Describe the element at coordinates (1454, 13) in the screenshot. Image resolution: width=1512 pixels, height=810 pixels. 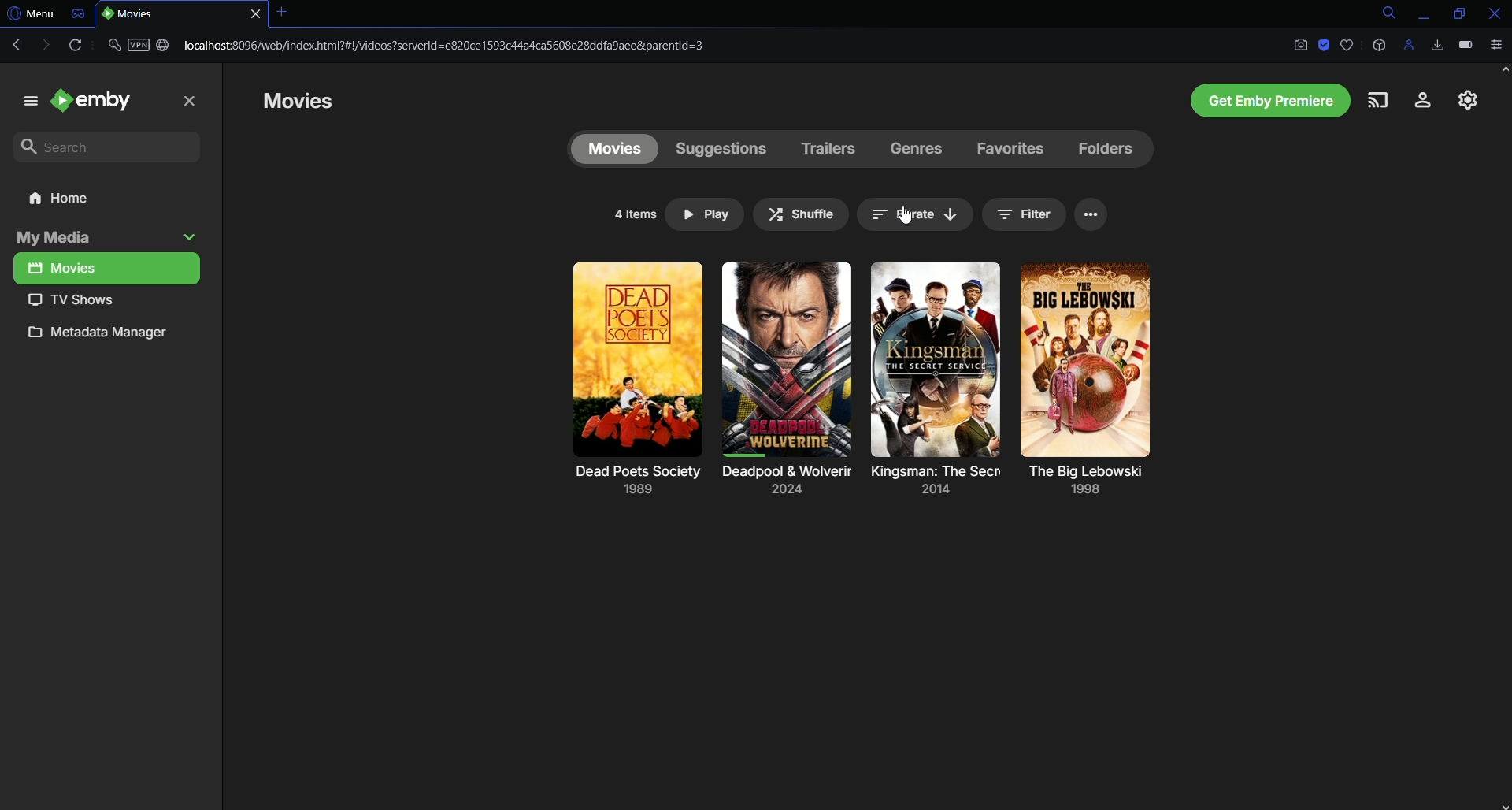
I see `Restore` at that location.